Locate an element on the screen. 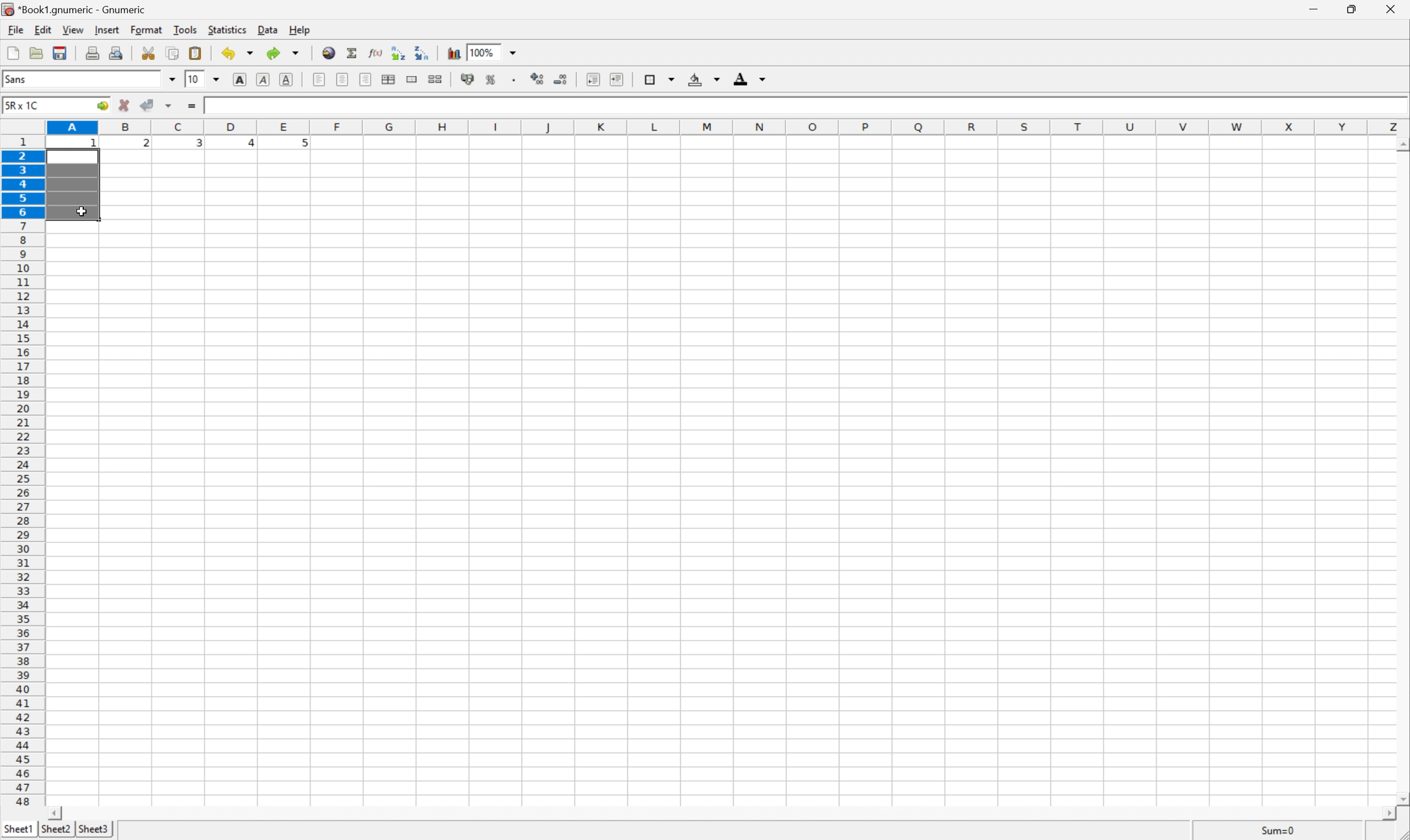 The image size is (1410, 840). edit function in current cell is located at coordinates (377, 54).